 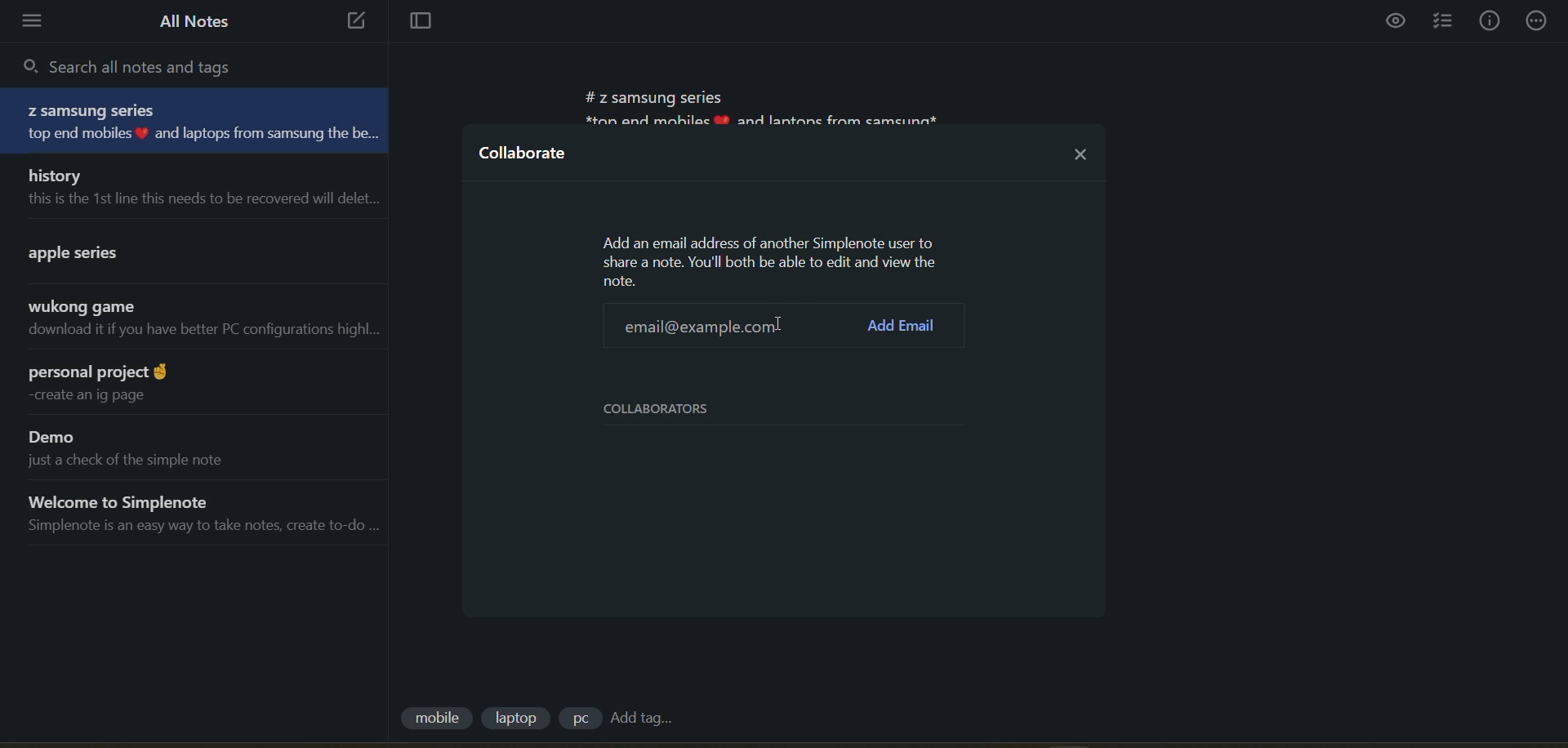 I want to click on note title and preview, so click(x=196, y=382).